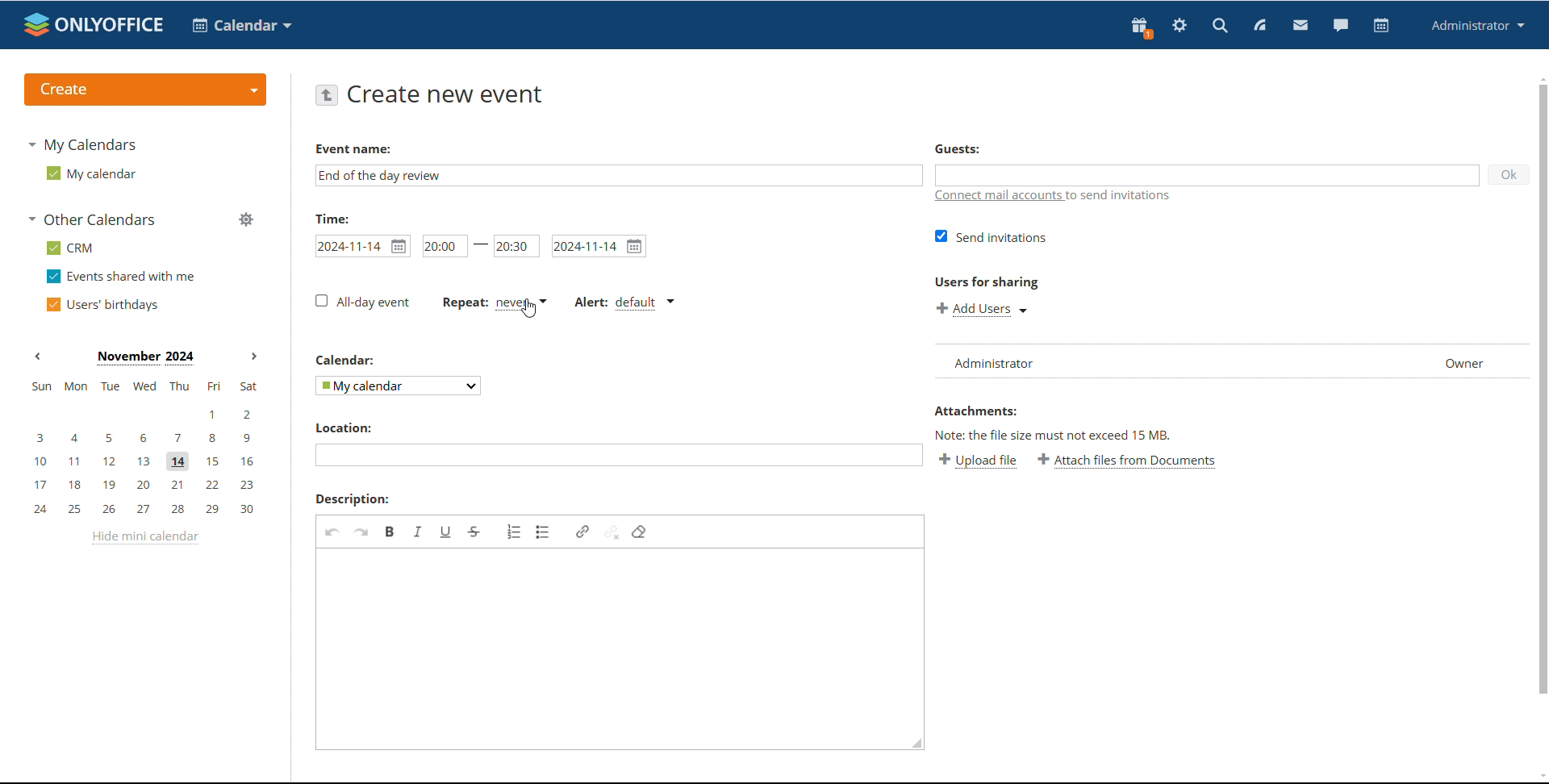 The image size is (1549, 784). What do you see at coordinates (90, 173) in the screenshot?
I see `my calendar` at bounding box center [90, 173].